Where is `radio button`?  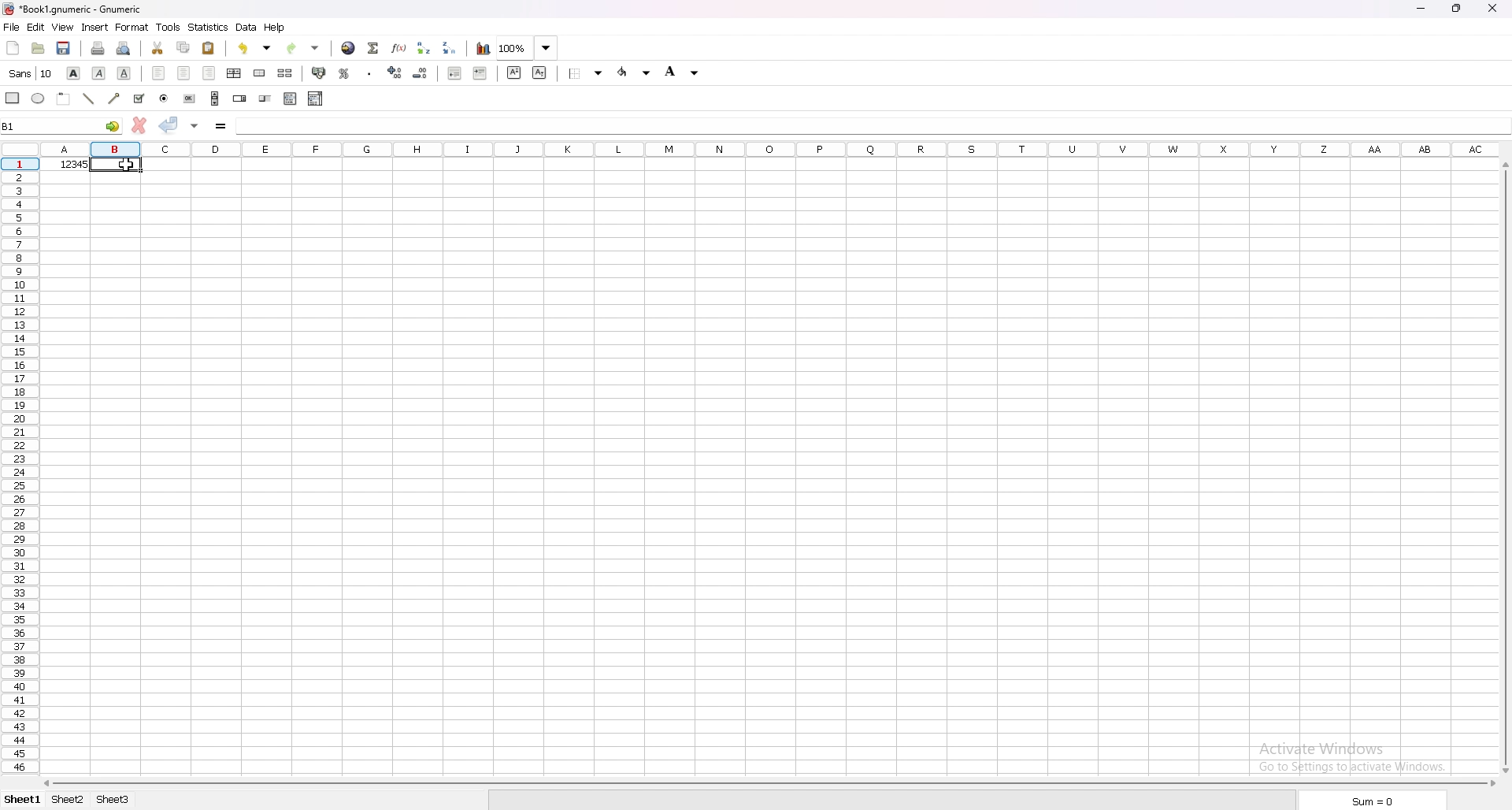
radio button is located at coordinates (164, 98).